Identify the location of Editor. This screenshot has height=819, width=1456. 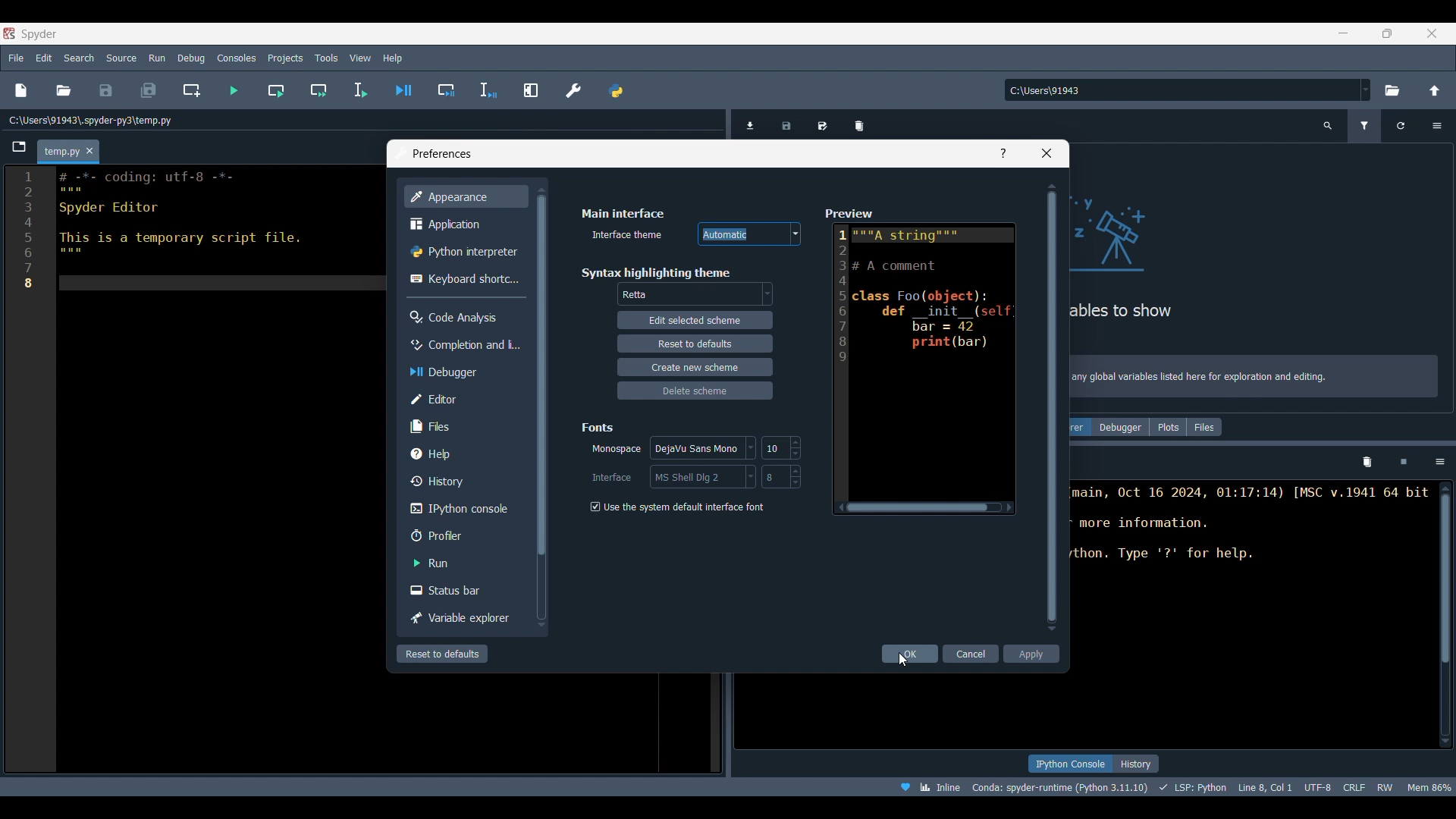
(463, 399).